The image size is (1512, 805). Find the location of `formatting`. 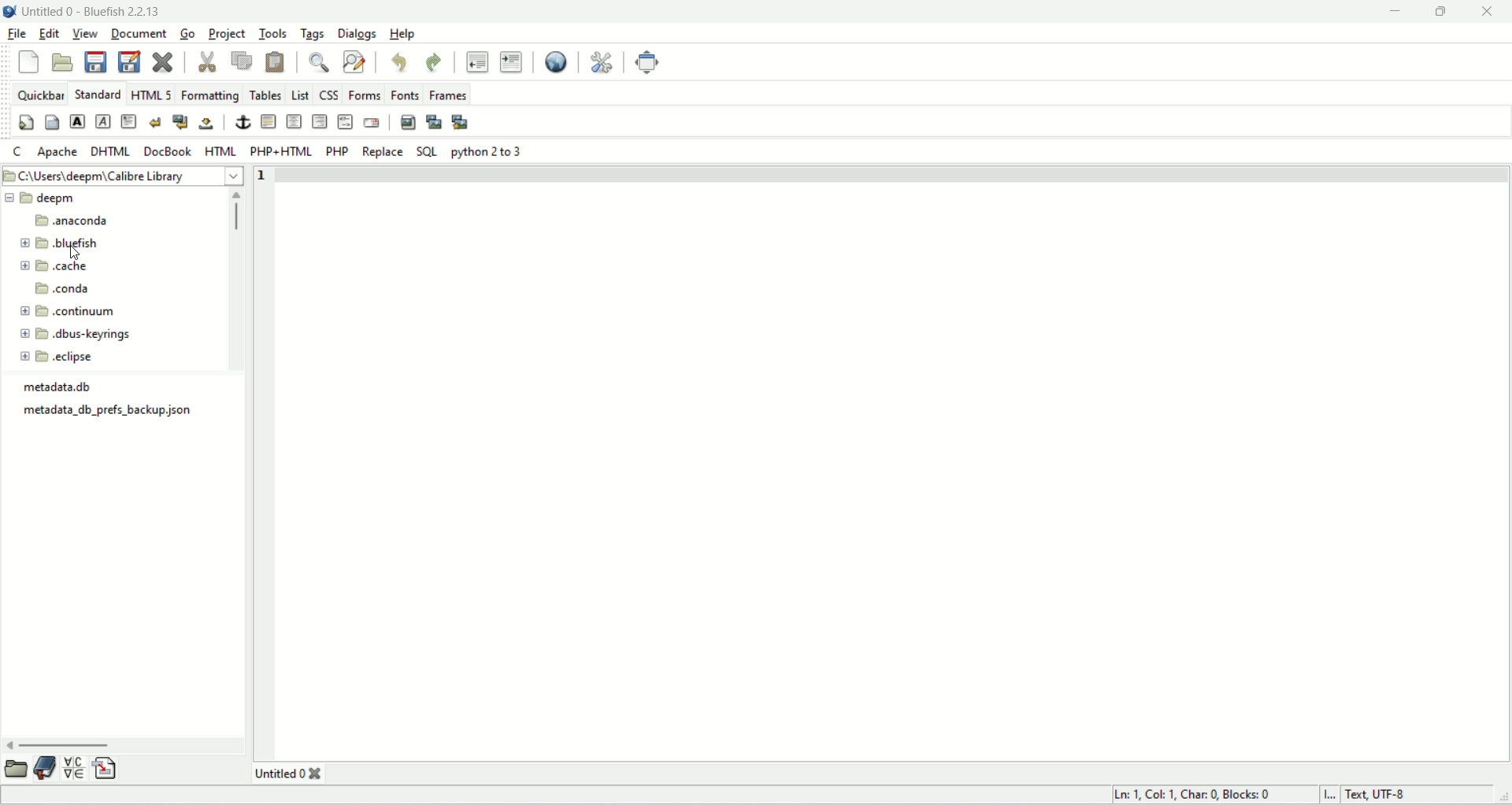

formatting is located at coordinates (211, 96).